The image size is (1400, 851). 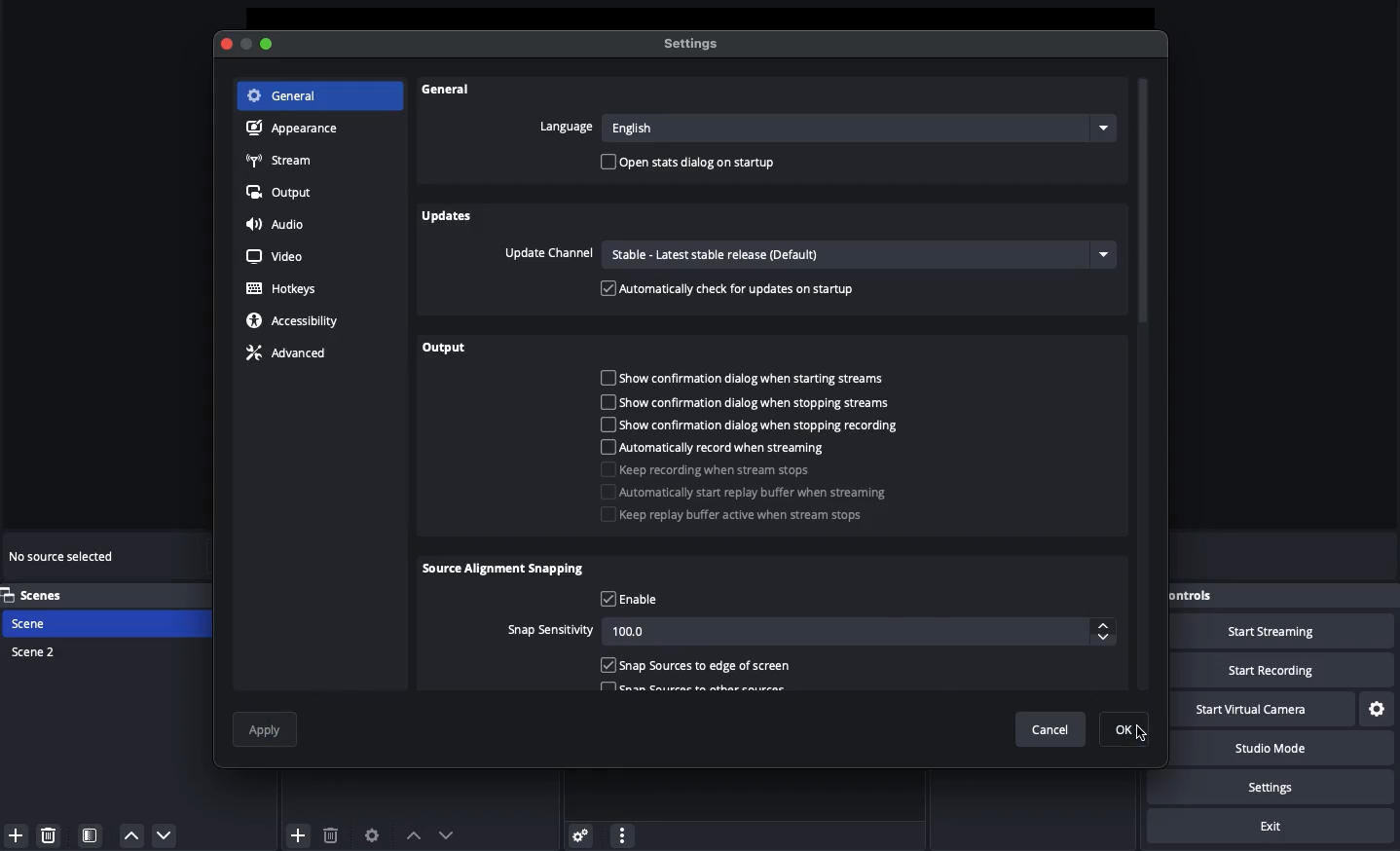 I want to click on Start virtual camera, so click(x=1269, y=708).